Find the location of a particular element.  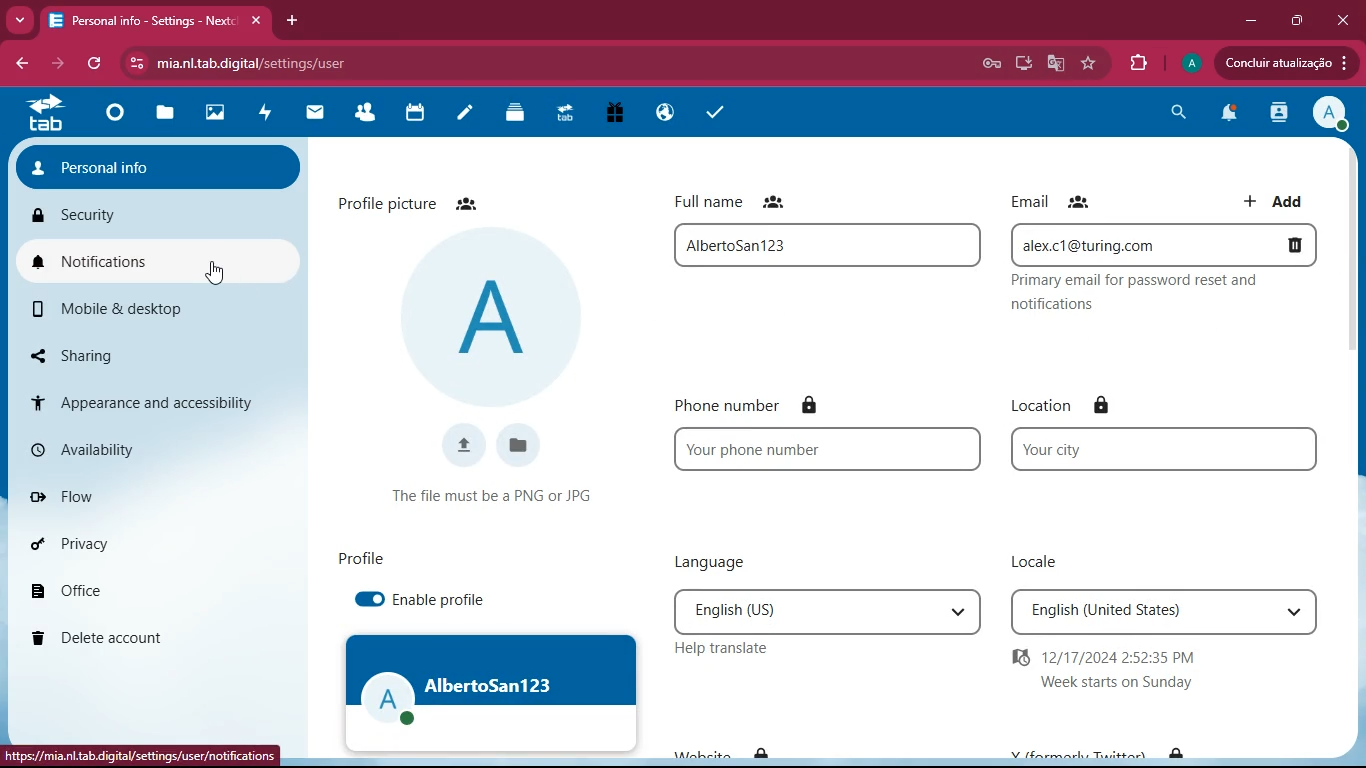

tab is located at coordinates (158, 20).